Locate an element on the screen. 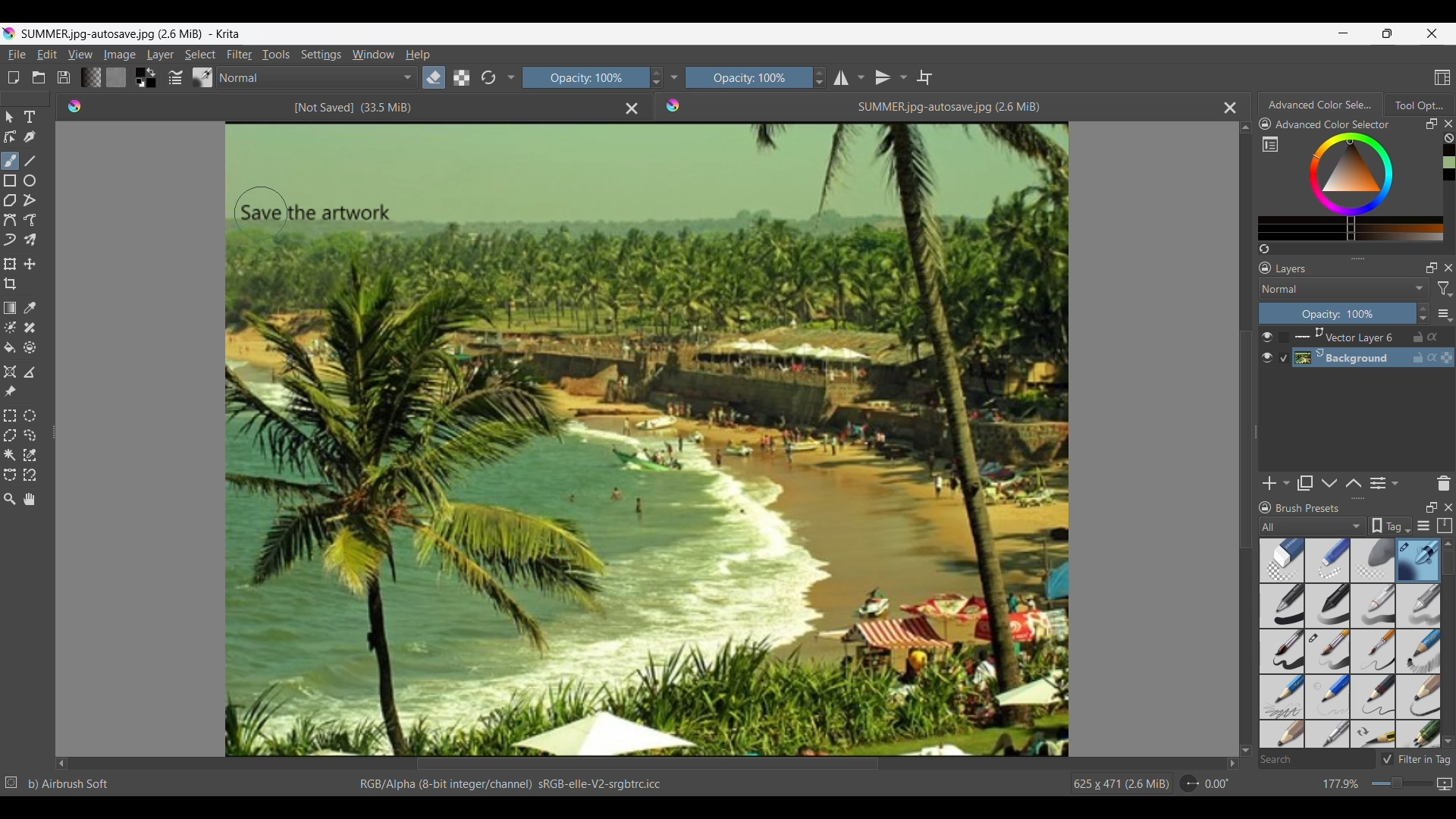  Smart patch tool is located at coordinates (30, 328).